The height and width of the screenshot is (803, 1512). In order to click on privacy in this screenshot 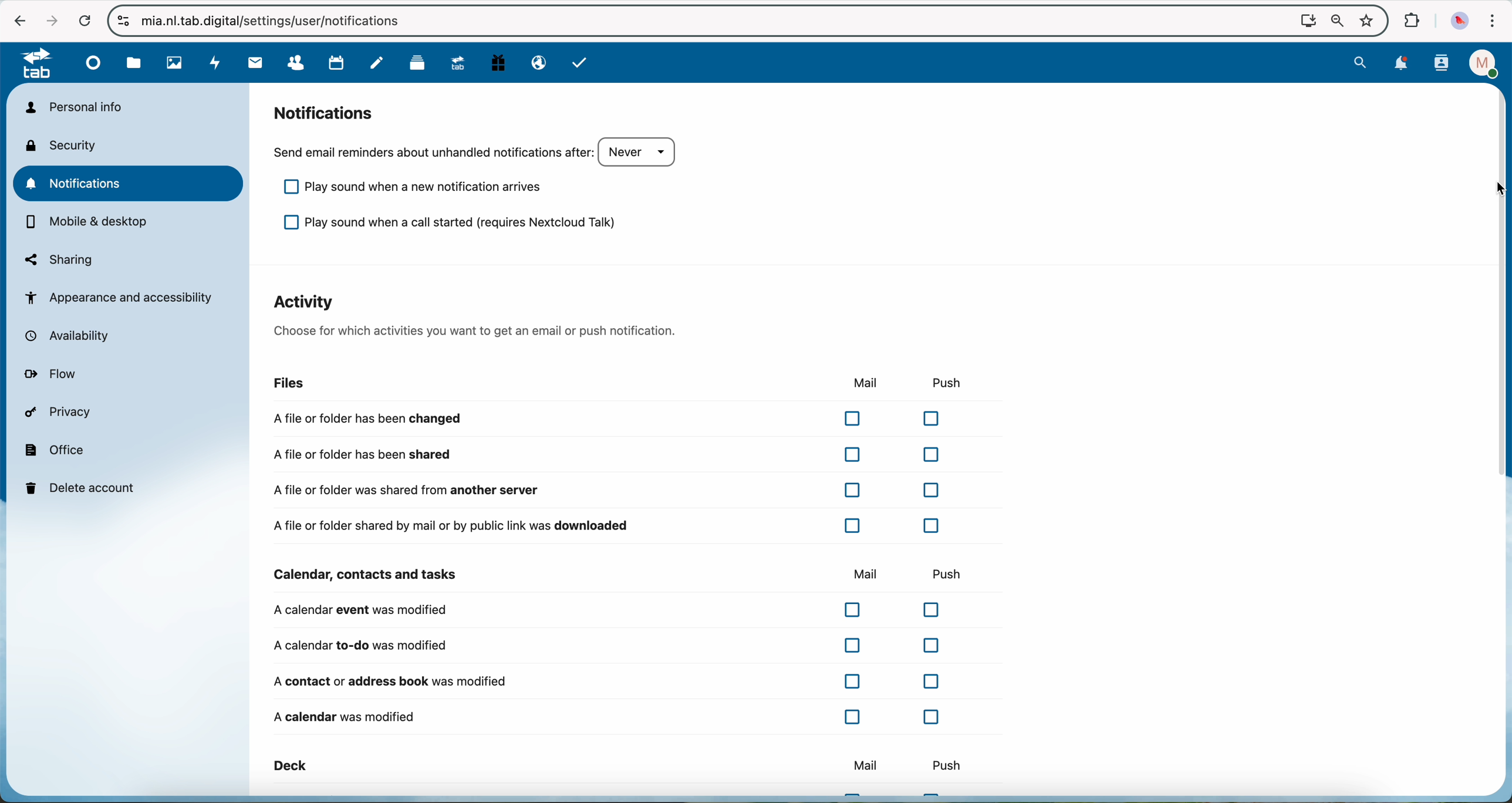, I will do `click(61, 414)`.